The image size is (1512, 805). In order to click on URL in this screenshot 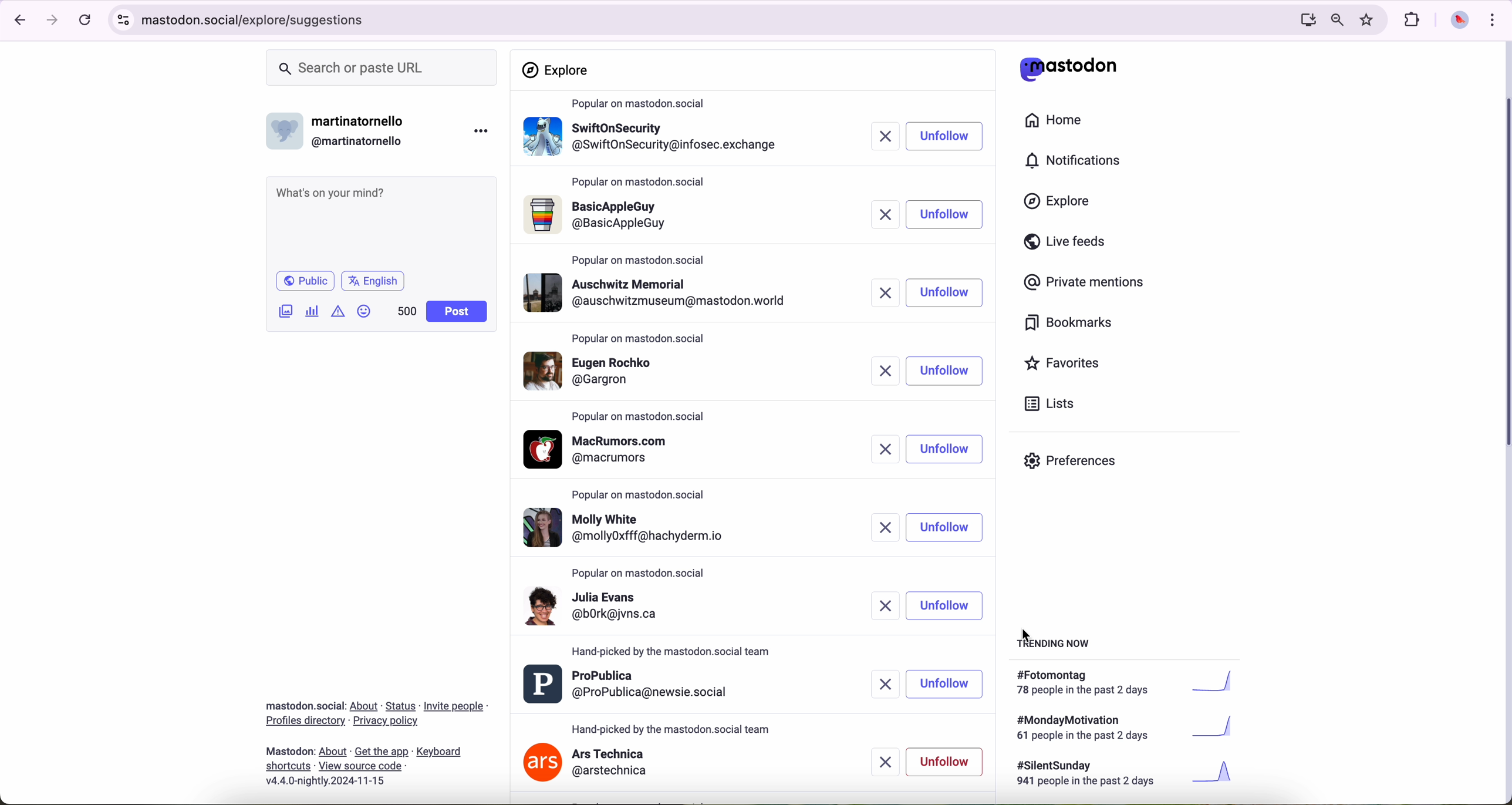, I will do `click(258, 18)`.